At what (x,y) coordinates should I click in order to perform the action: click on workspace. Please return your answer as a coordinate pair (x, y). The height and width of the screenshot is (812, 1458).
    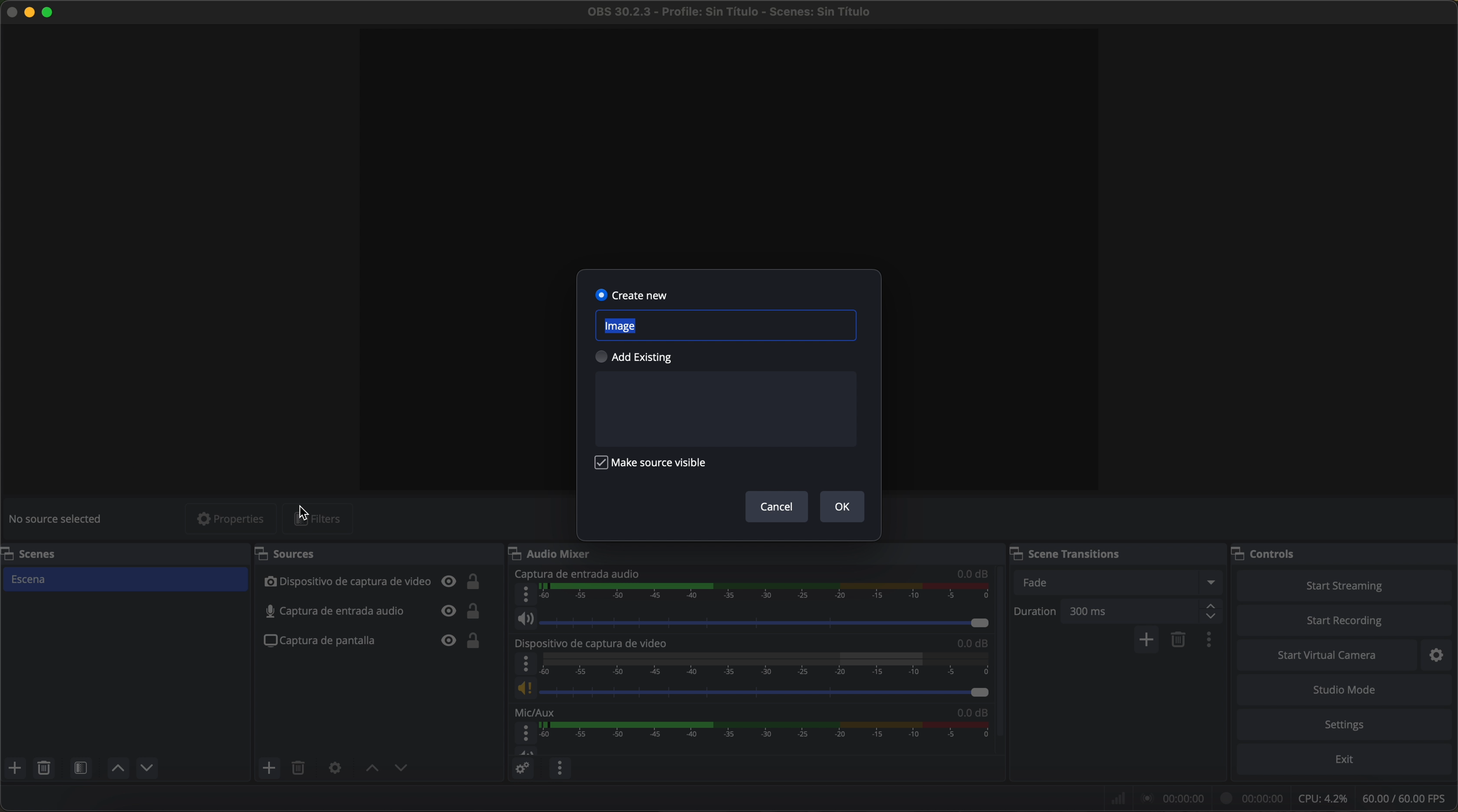
    Looking at the image, I should click on (728, 145).